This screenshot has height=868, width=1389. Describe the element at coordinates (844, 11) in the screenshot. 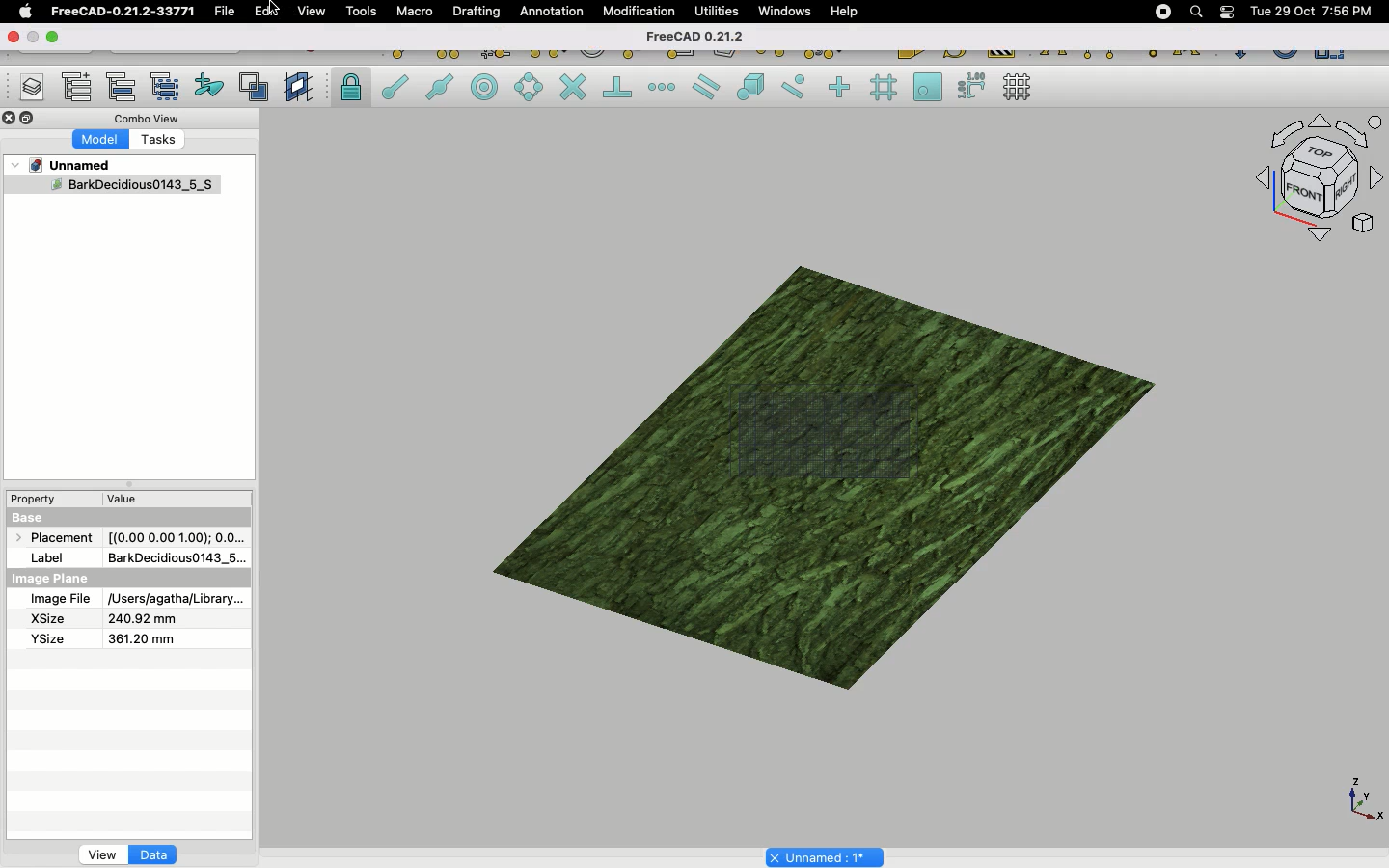

I see `Help` at that location.